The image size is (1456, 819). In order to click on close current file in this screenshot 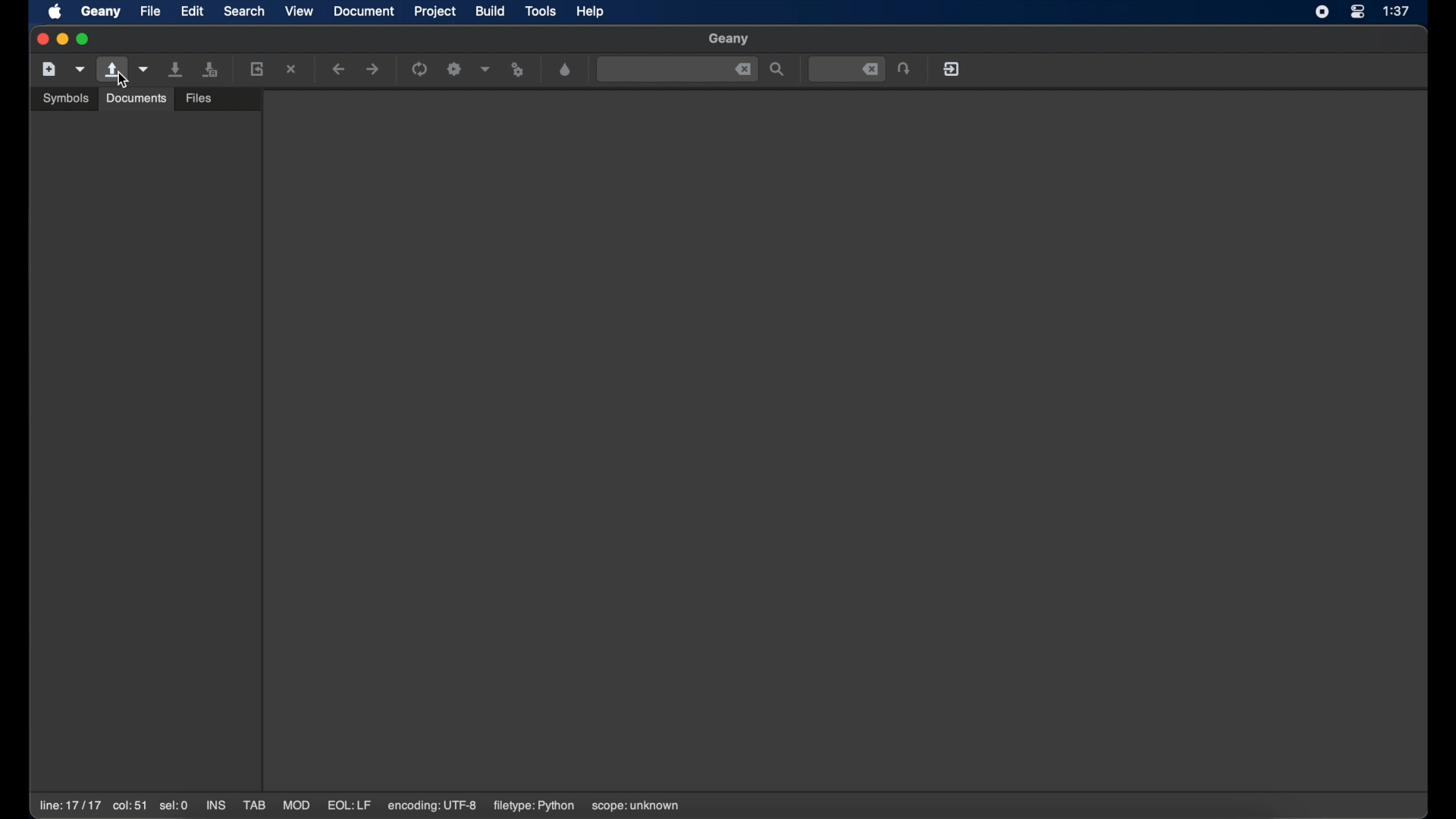, I will do `click(293, 69)`.